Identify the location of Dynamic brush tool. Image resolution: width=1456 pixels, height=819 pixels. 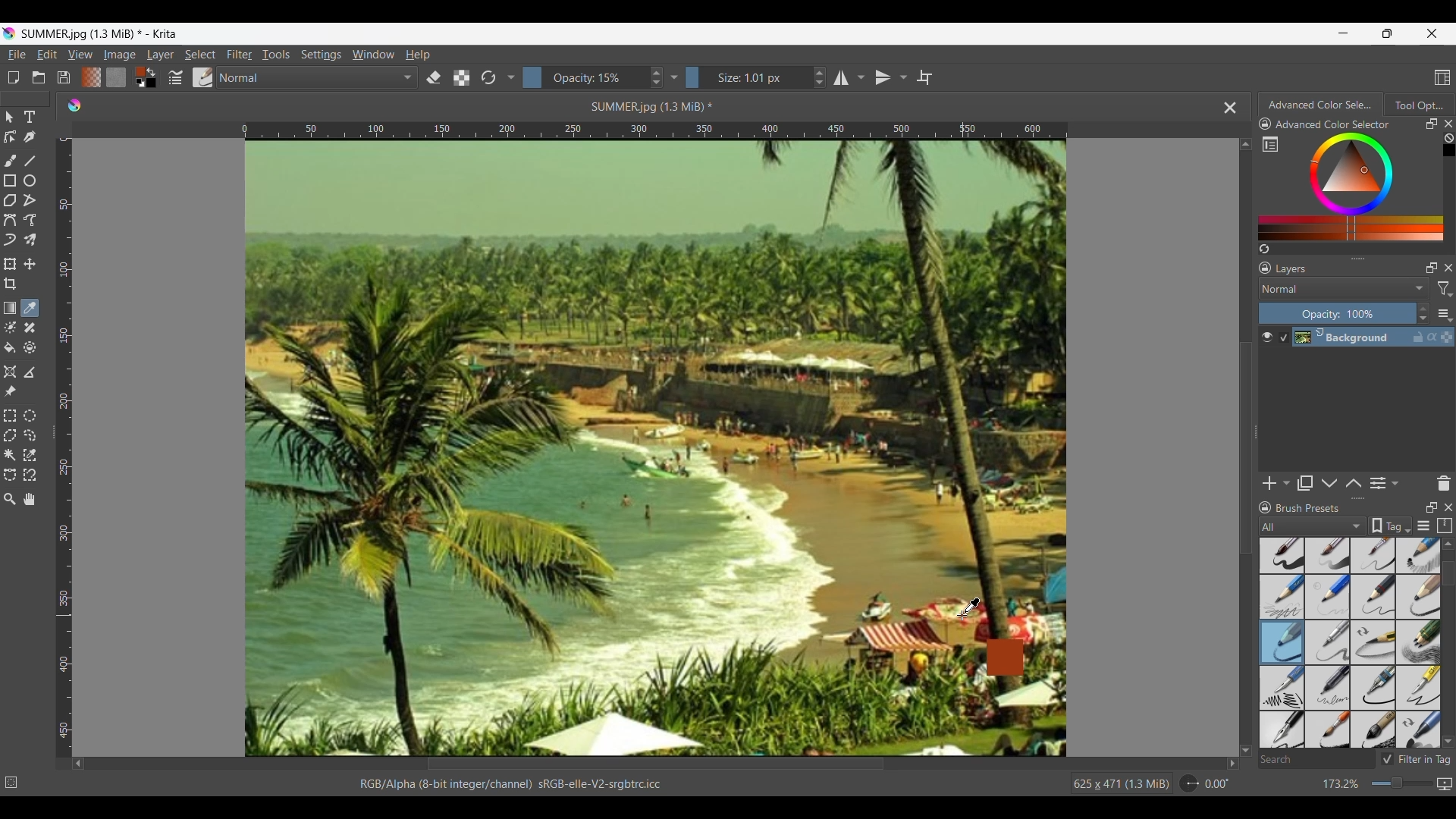
(10, 240).